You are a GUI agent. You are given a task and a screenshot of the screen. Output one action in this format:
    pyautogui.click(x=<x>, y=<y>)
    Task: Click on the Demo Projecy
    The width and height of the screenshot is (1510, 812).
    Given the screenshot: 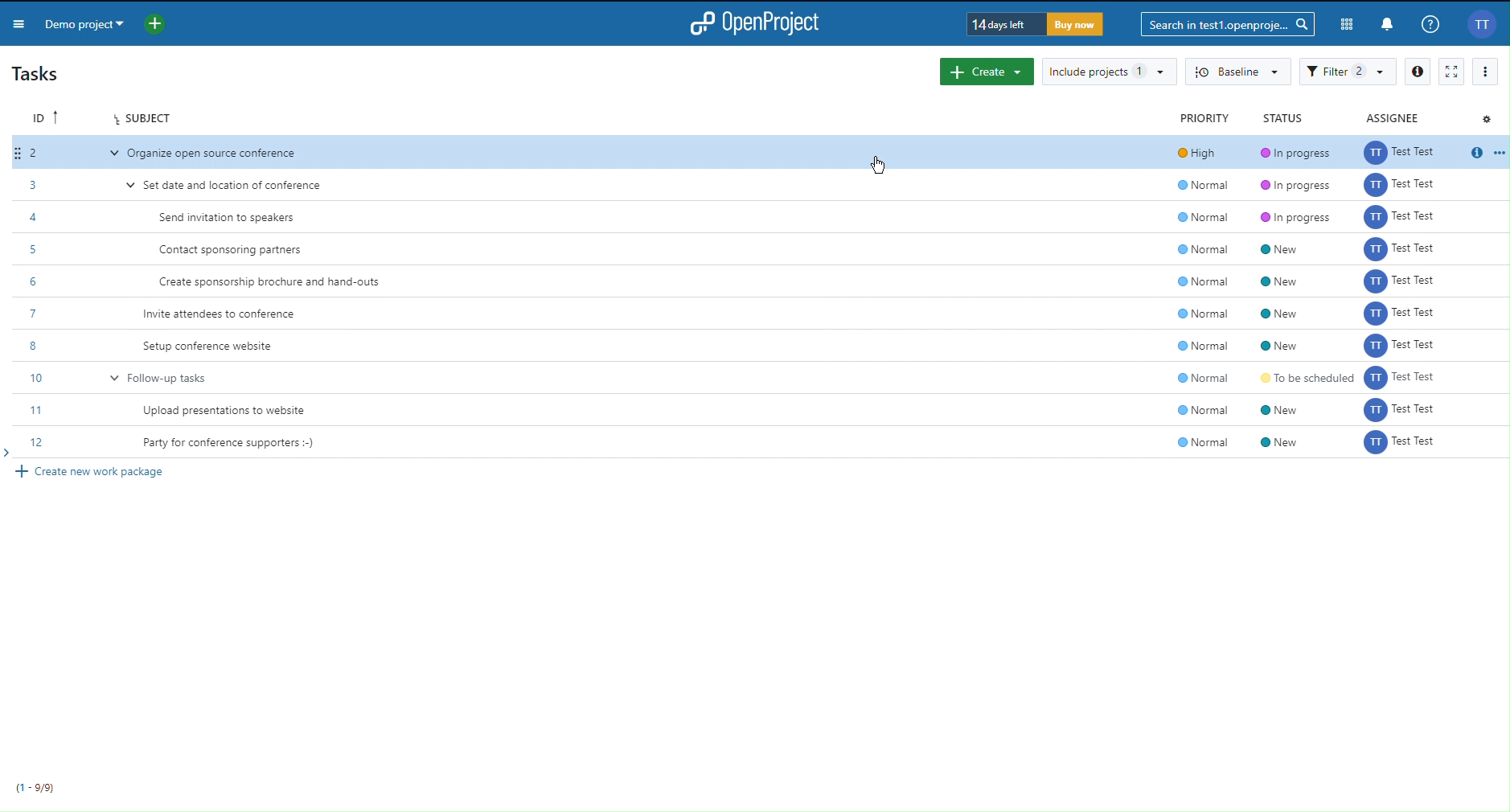 What is the action you would take?
    pyautogui.click(x=105, y=23)
    